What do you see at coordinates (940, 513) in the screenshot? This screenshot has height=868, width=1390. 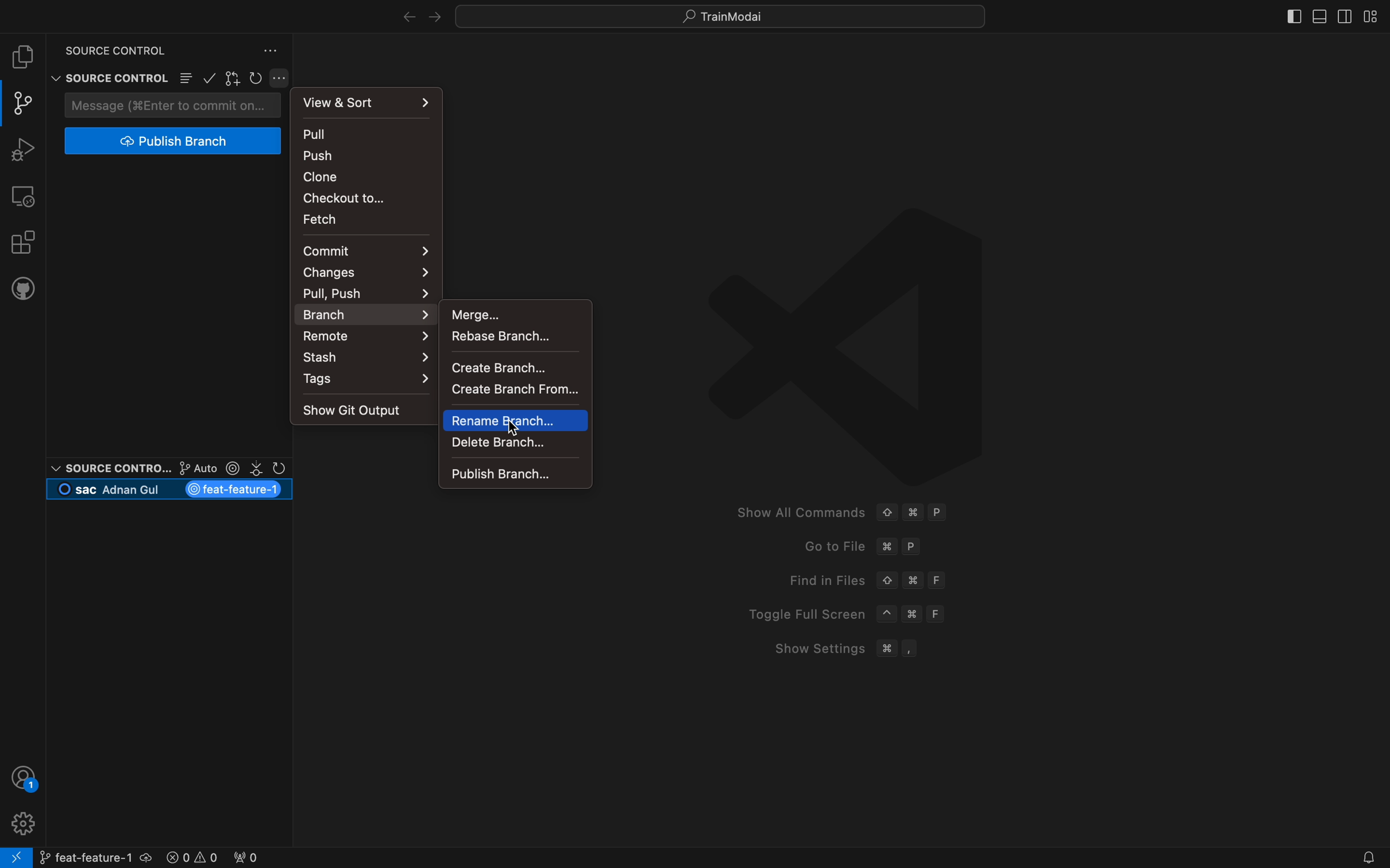 I see `P` at bounding box center [940, 513].